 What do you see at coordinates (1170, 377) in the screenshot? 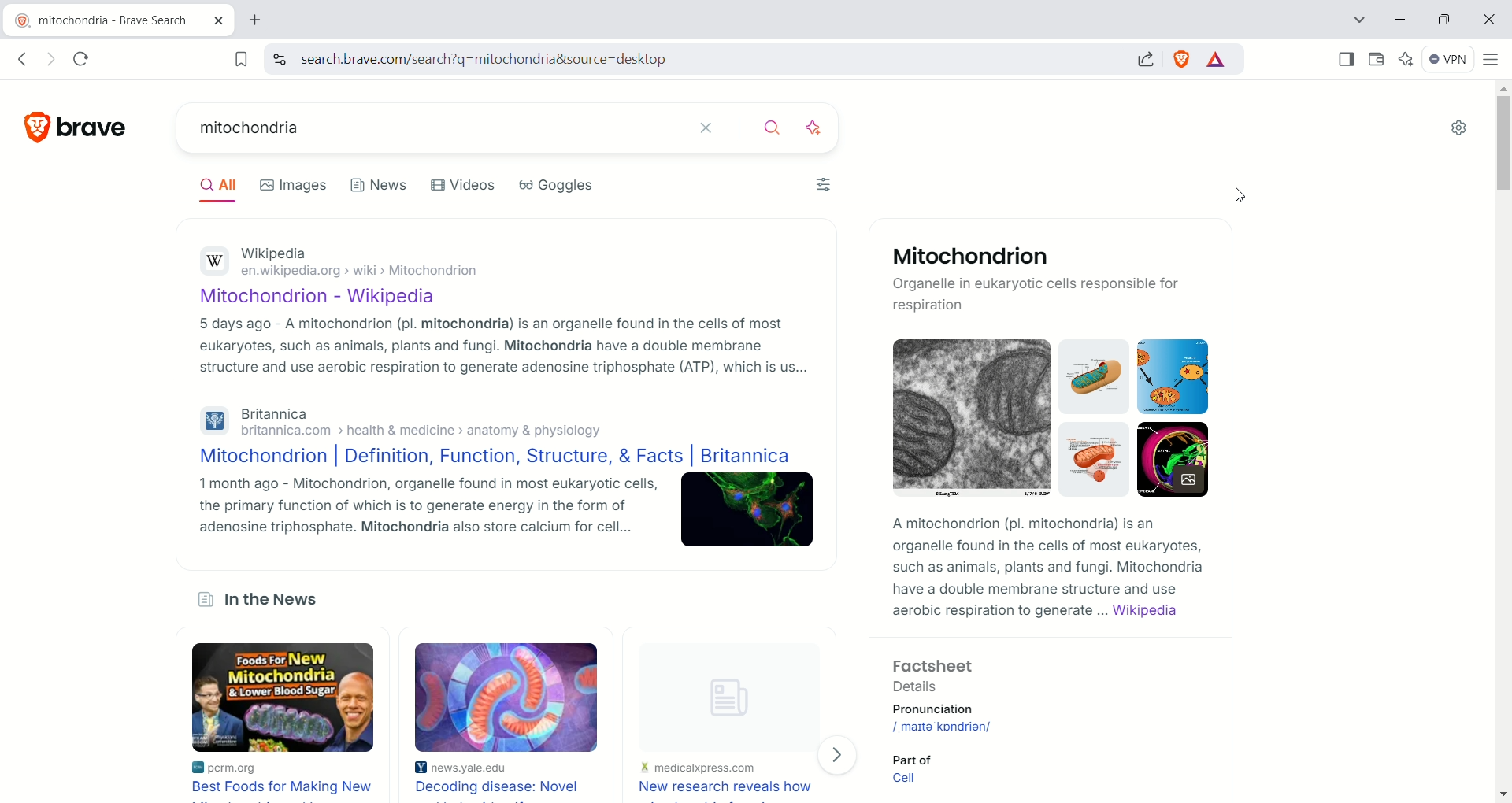
I see `Image` at bounding box center [1170, 377].